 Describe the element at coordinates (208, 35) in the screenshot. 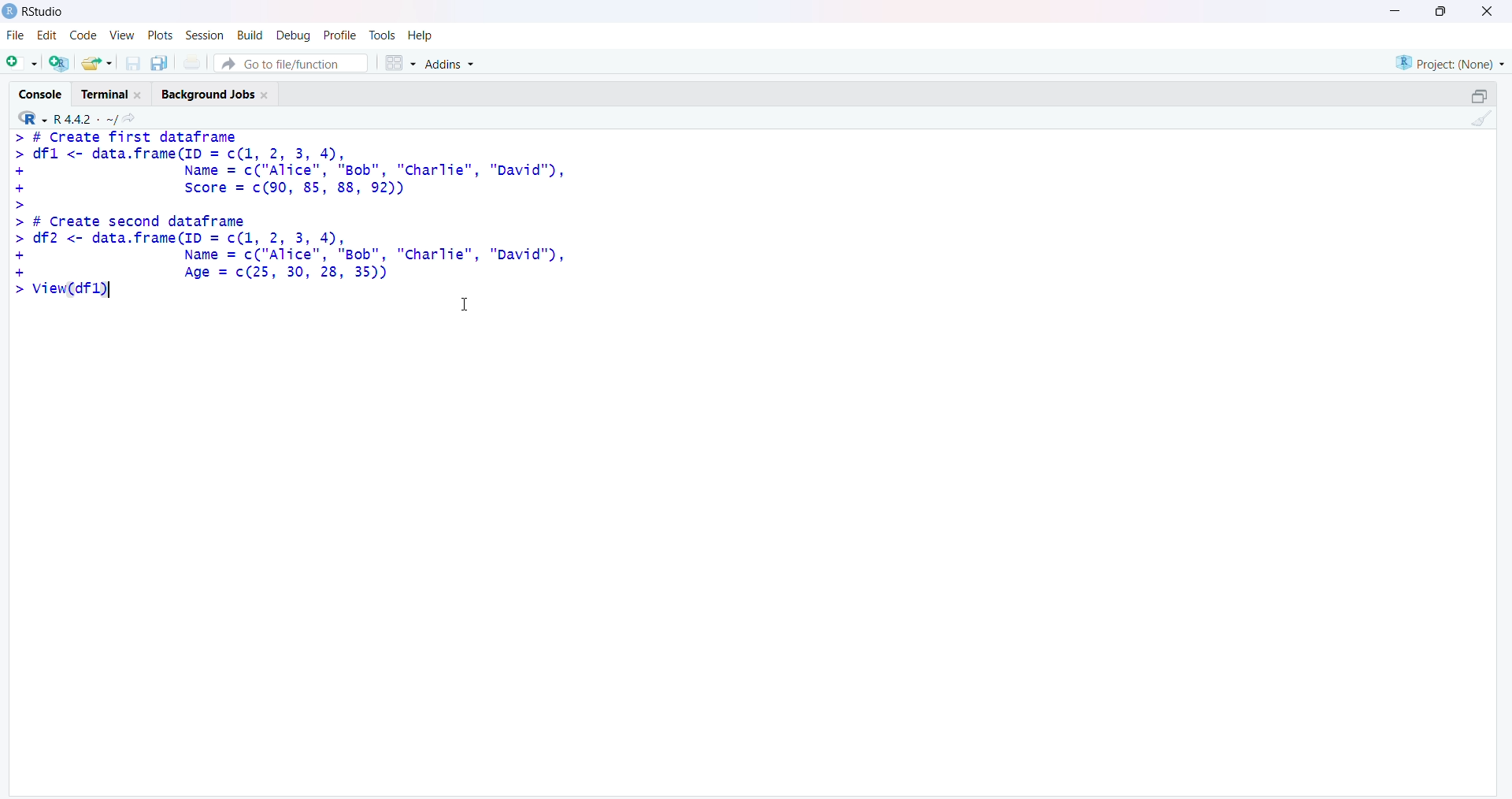

I see `session` at that location.